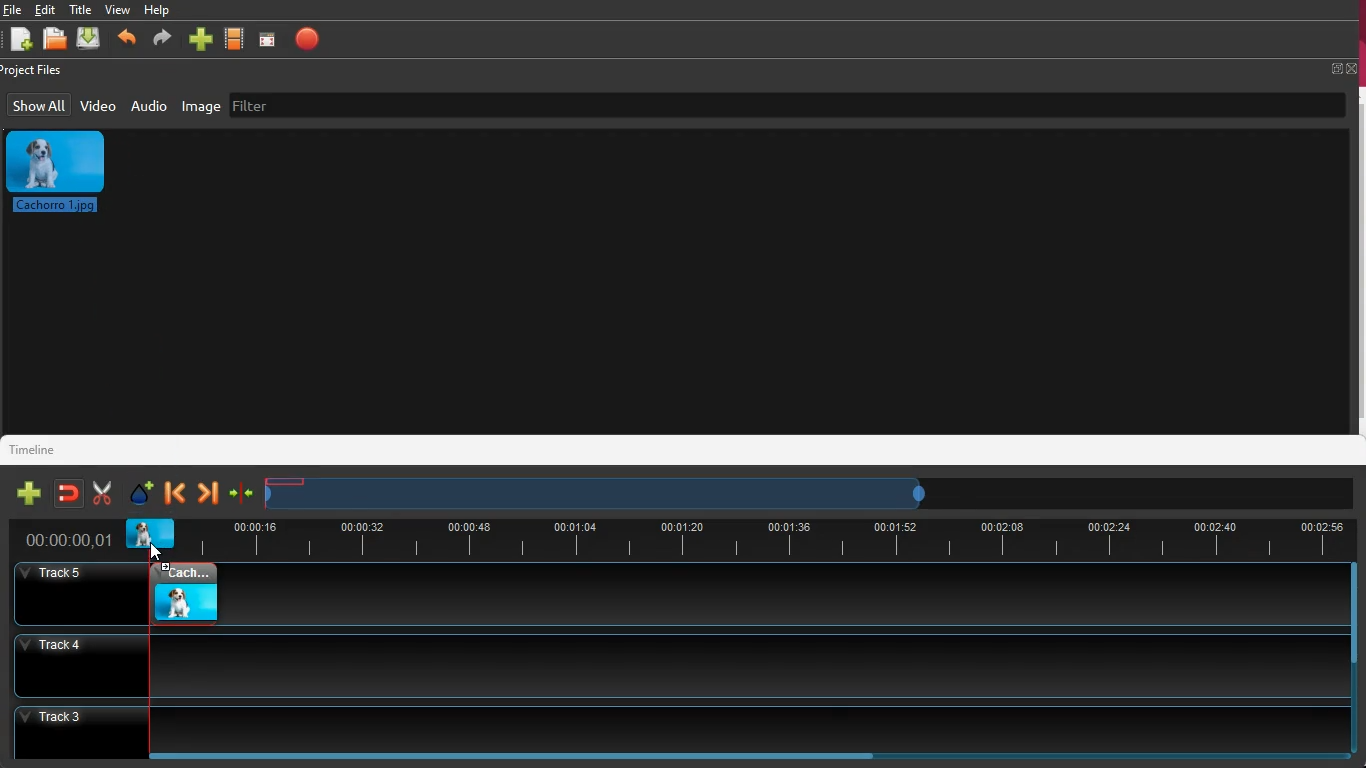 This screenshot has height=768, width=1366. What do you see at coordinates (174, 493) in the screenshot?
I see `backward` at bounding box center [174, 493].